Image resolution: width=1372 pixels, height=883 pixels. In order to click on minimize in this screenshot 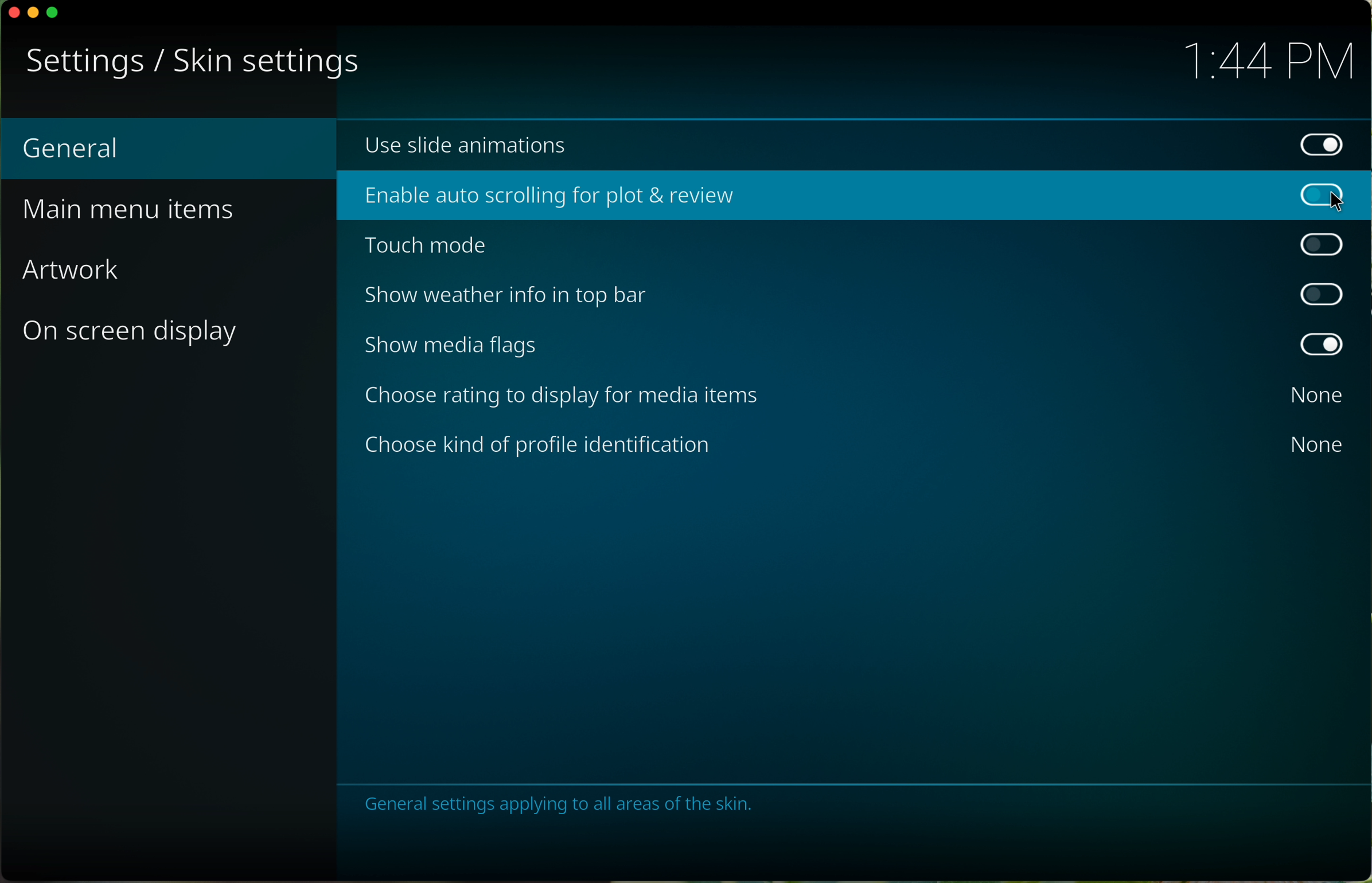, I will do `click(32, 14)`.